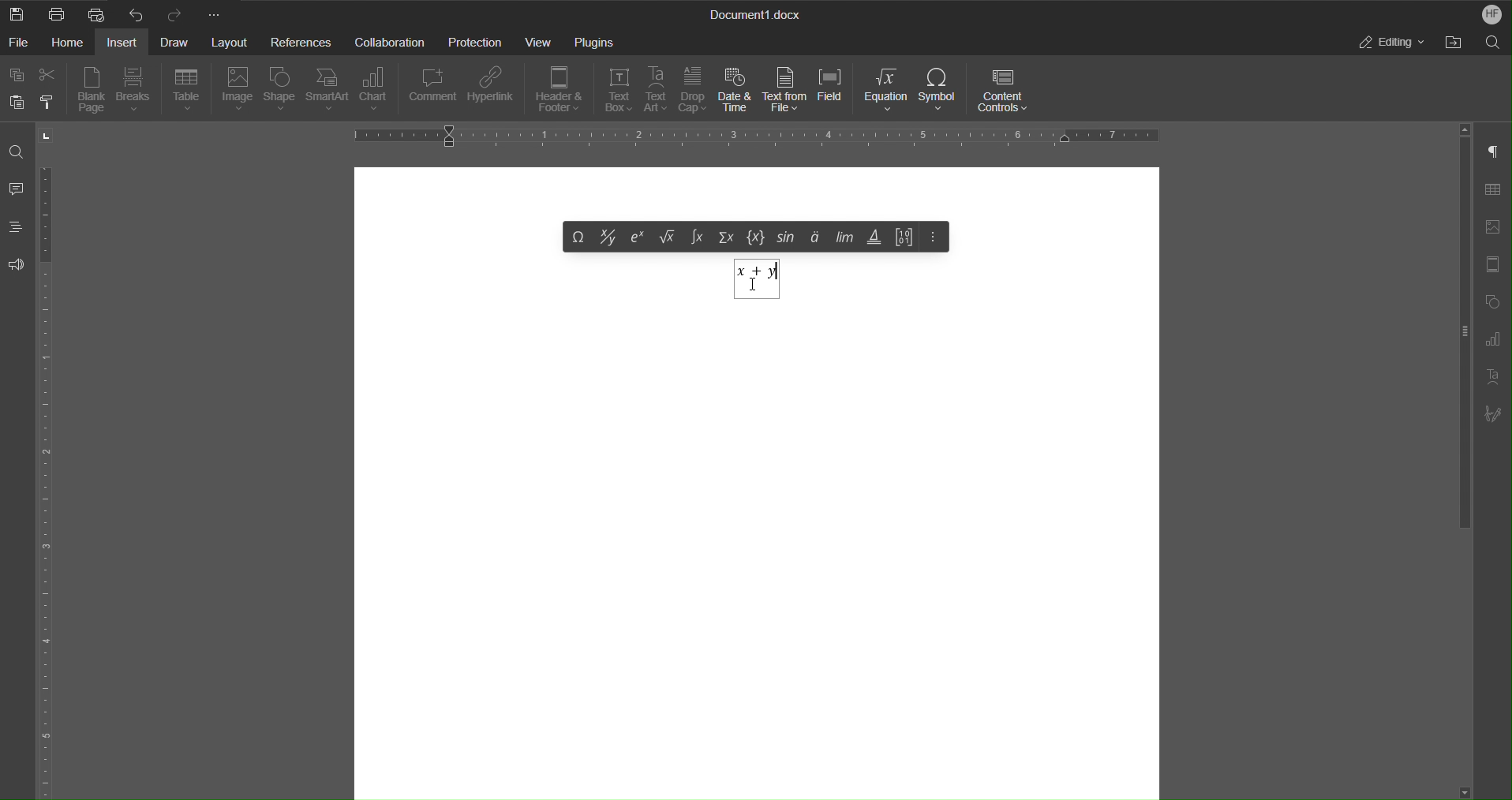  What do you see at coordinates (541, 40) in the screenshot?
I see `View` at bounding box center [541, 40].